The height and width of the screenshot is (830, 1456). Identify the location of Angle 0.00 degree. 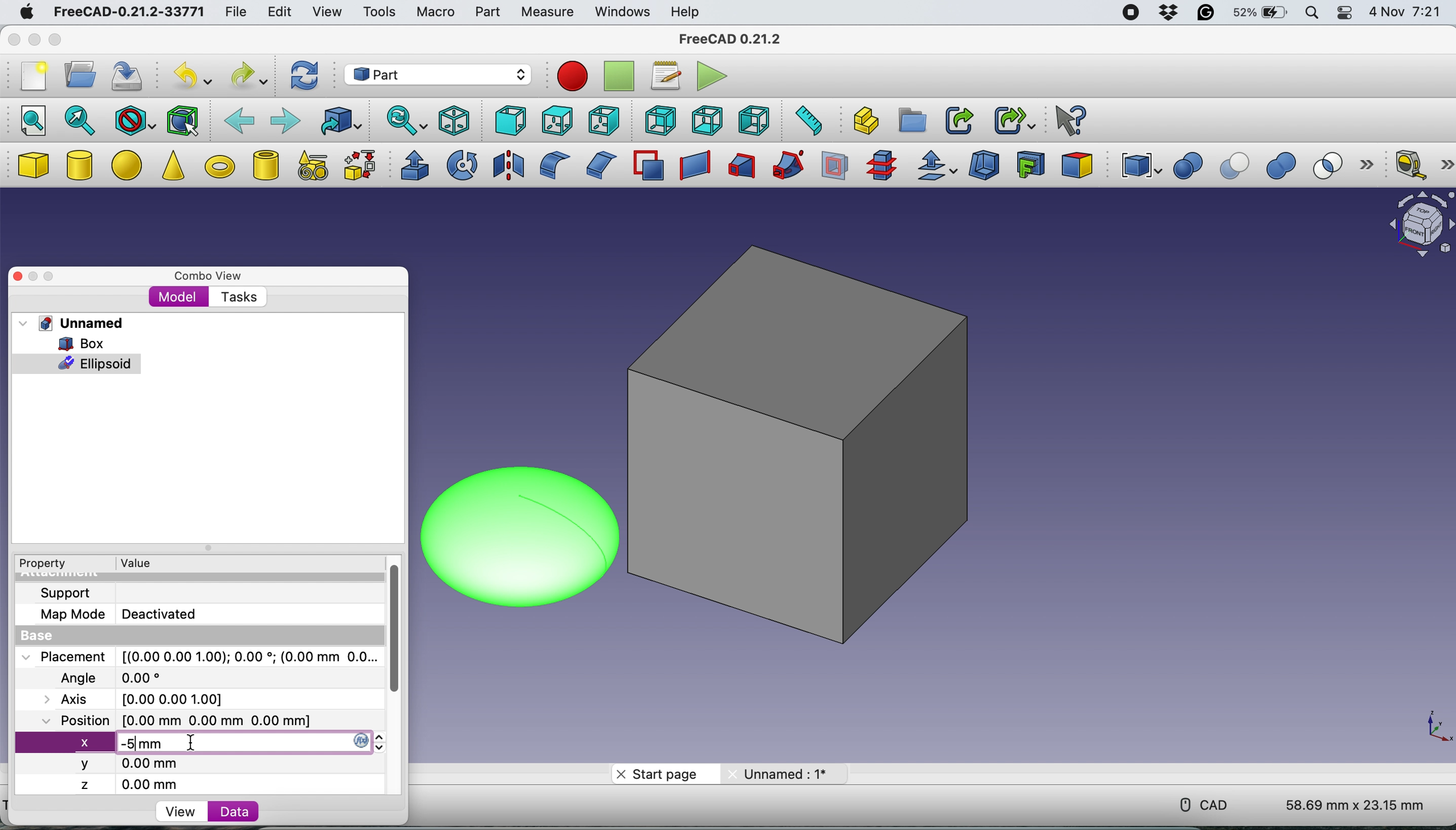
(108, 676).